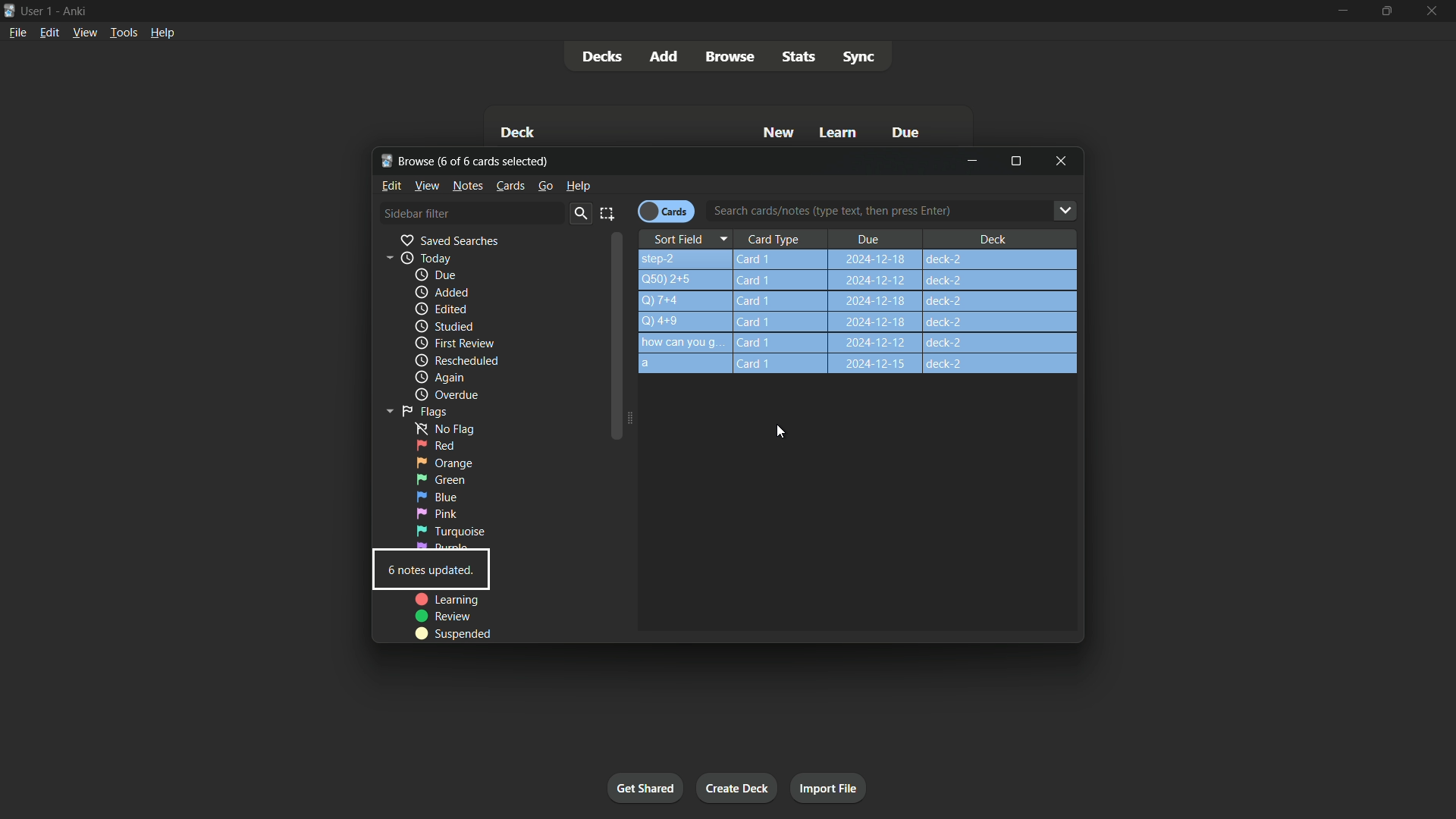  I want to click on Edit menu, so click(49, 34).